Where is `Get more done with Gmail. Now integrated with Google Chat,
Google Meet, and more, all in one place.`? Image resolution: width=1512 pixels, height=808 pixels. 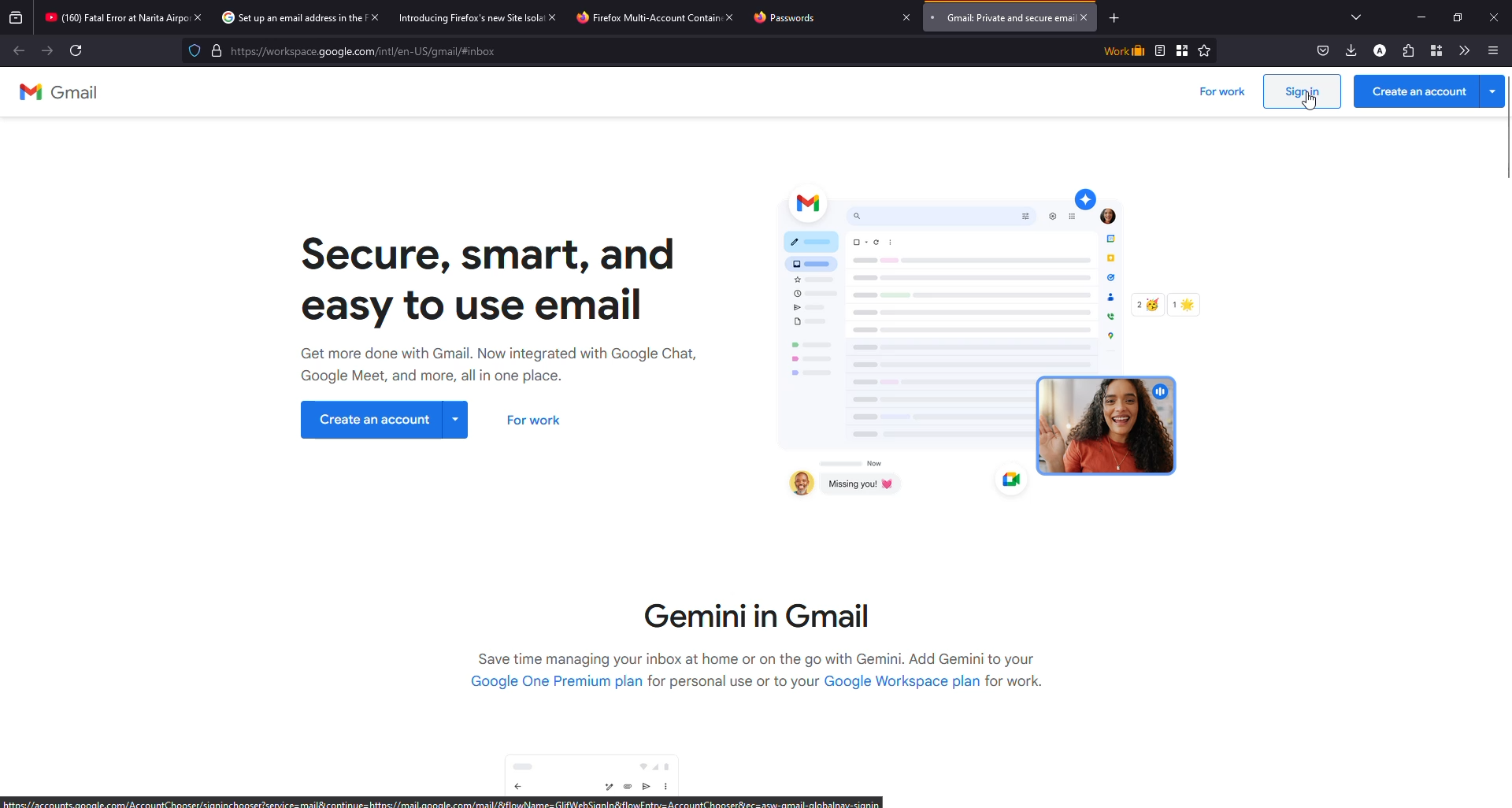
Get more done with Gmail. Now integrated with Google Chat,
Google Meet, and more, all in one place. is located at coordinates (502, 366).